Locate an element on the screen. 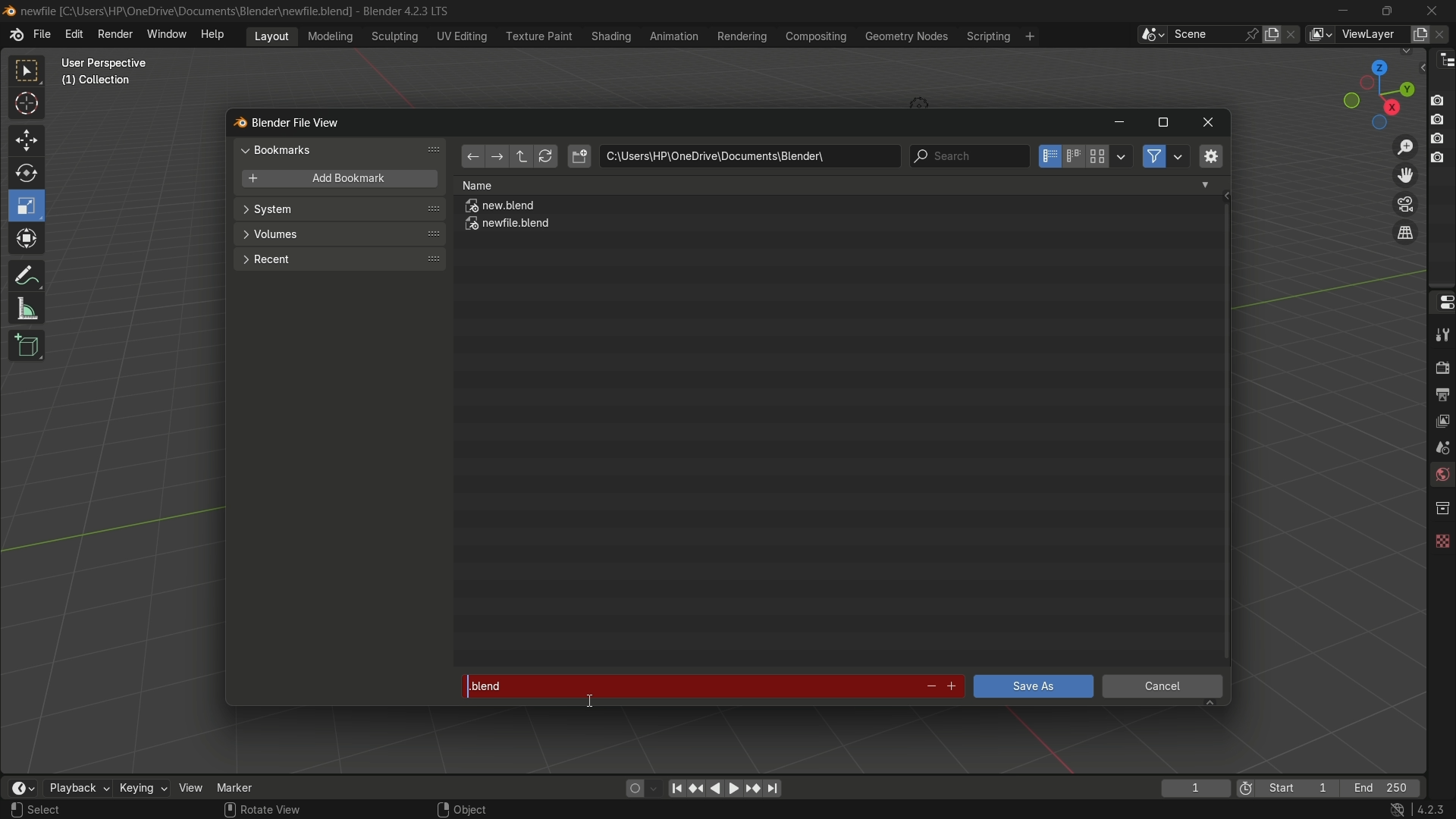 The image size is (1456, 819). minimize is located at coordinates (1344, 11).